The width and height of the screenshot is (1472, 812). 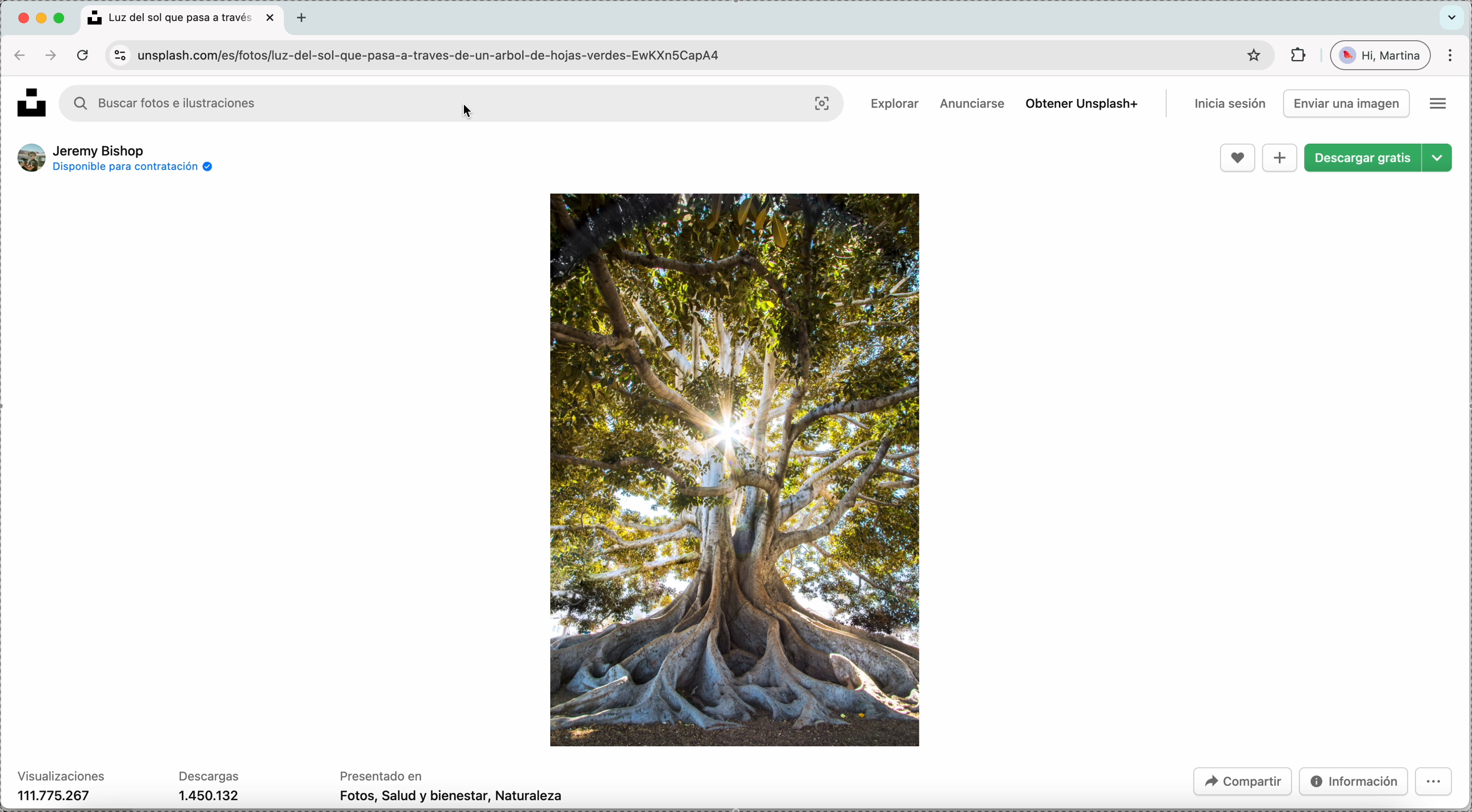 I want to click on Presentado en
Fotos, Salud y bienestar, Naturaleza, so click(x=453, y=789).